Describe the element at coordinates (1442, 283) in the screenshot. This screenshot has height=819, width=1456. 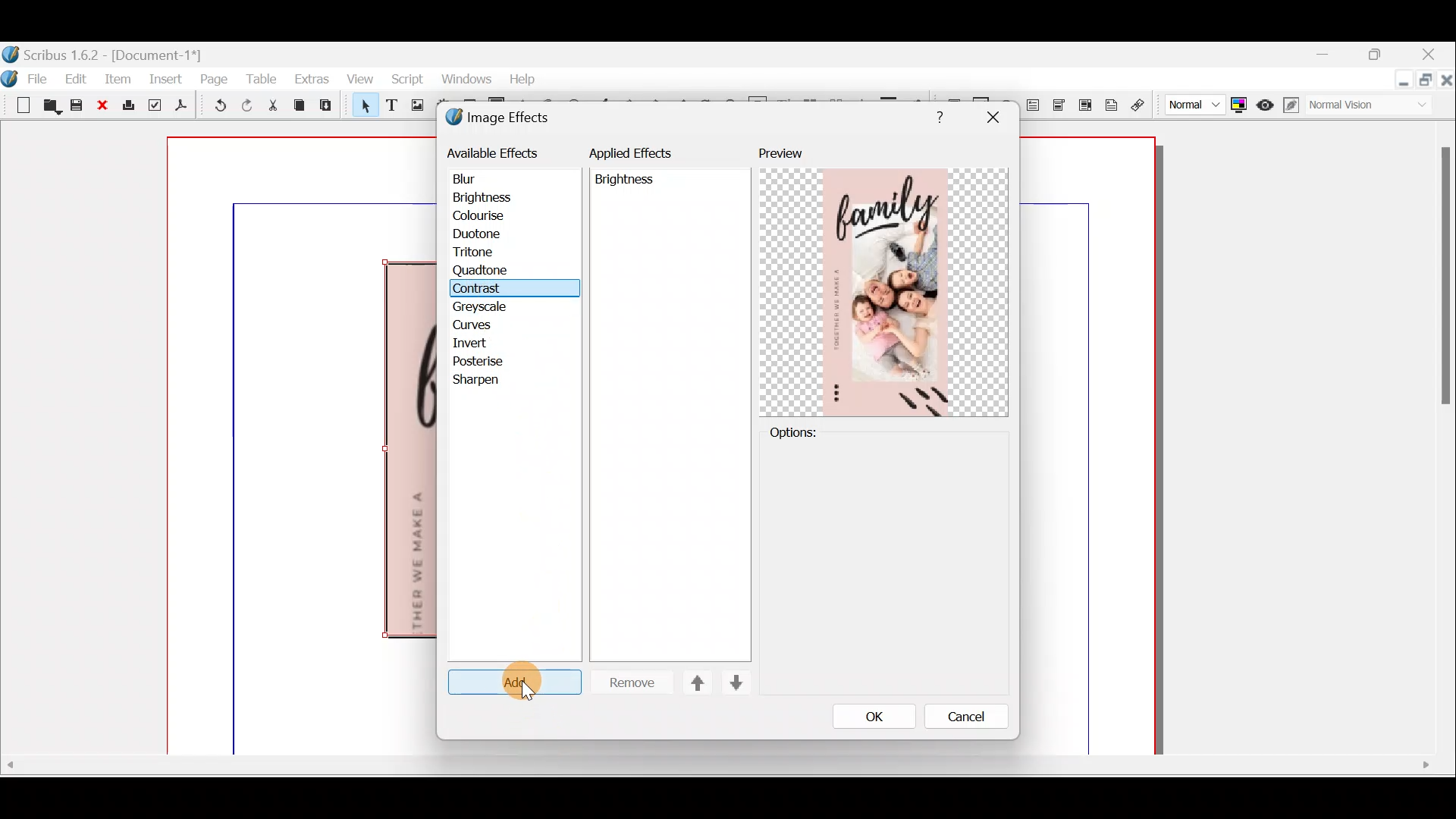
I see `` at that location.